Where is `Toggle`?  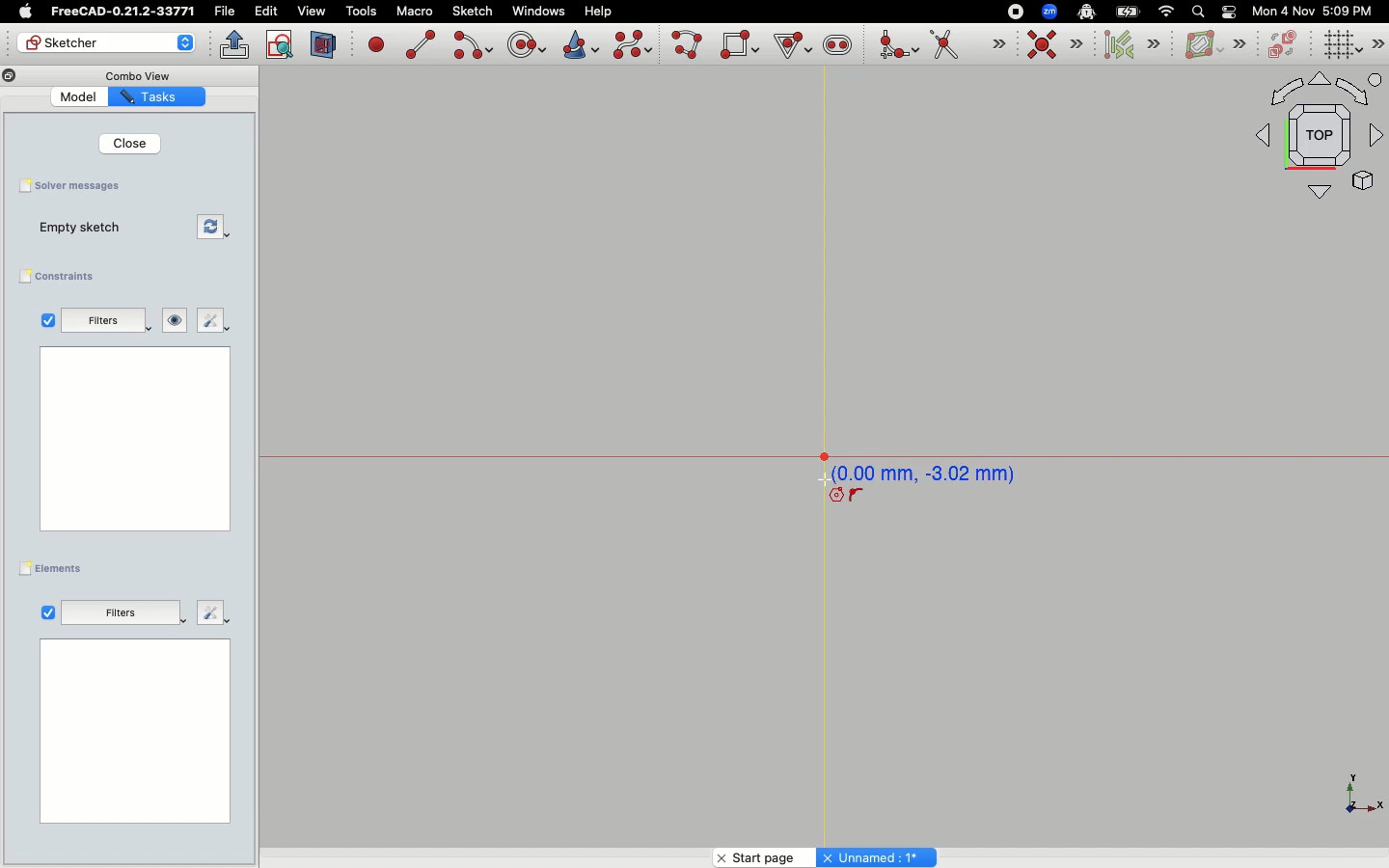
Toggle is located at coordinates (1229, 12).